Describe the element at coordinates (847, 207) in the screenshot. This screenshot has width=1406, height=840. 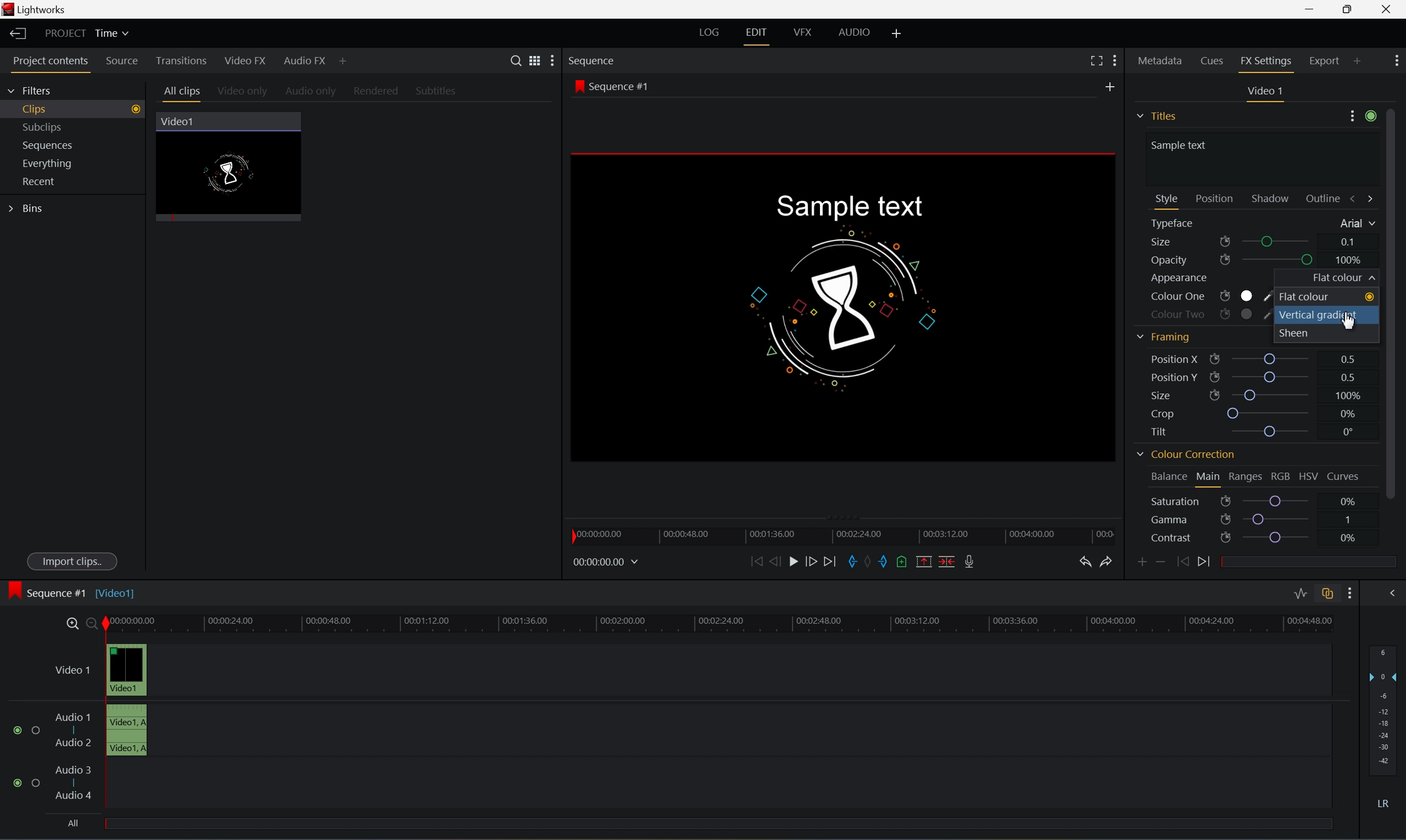
I see `Sample text` at that location.